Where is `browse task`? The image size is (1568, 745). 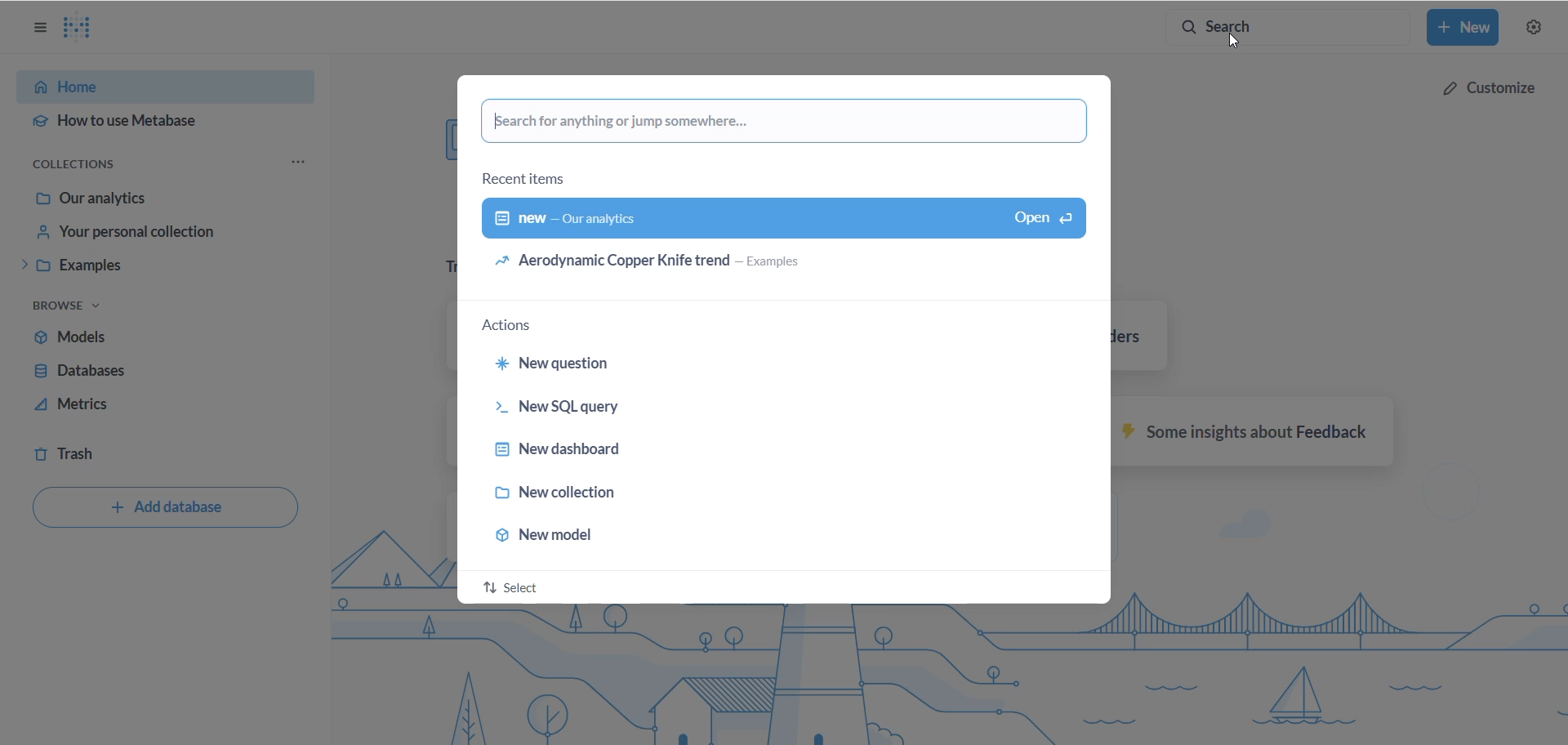 browse task is located at coordinates (71, 305).